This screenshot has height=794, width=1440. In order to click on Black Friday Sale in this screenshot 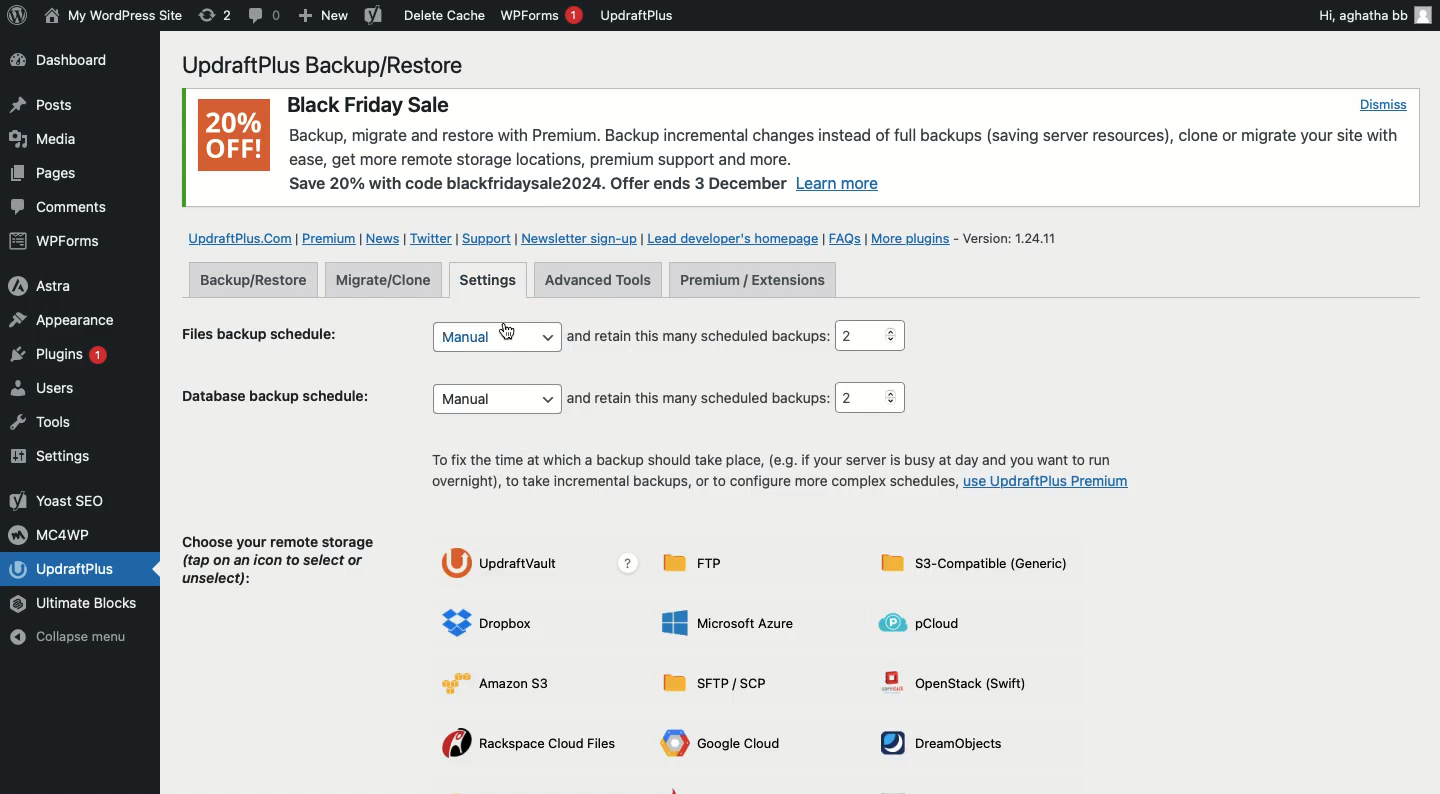, I will do `click(367, 102)`.